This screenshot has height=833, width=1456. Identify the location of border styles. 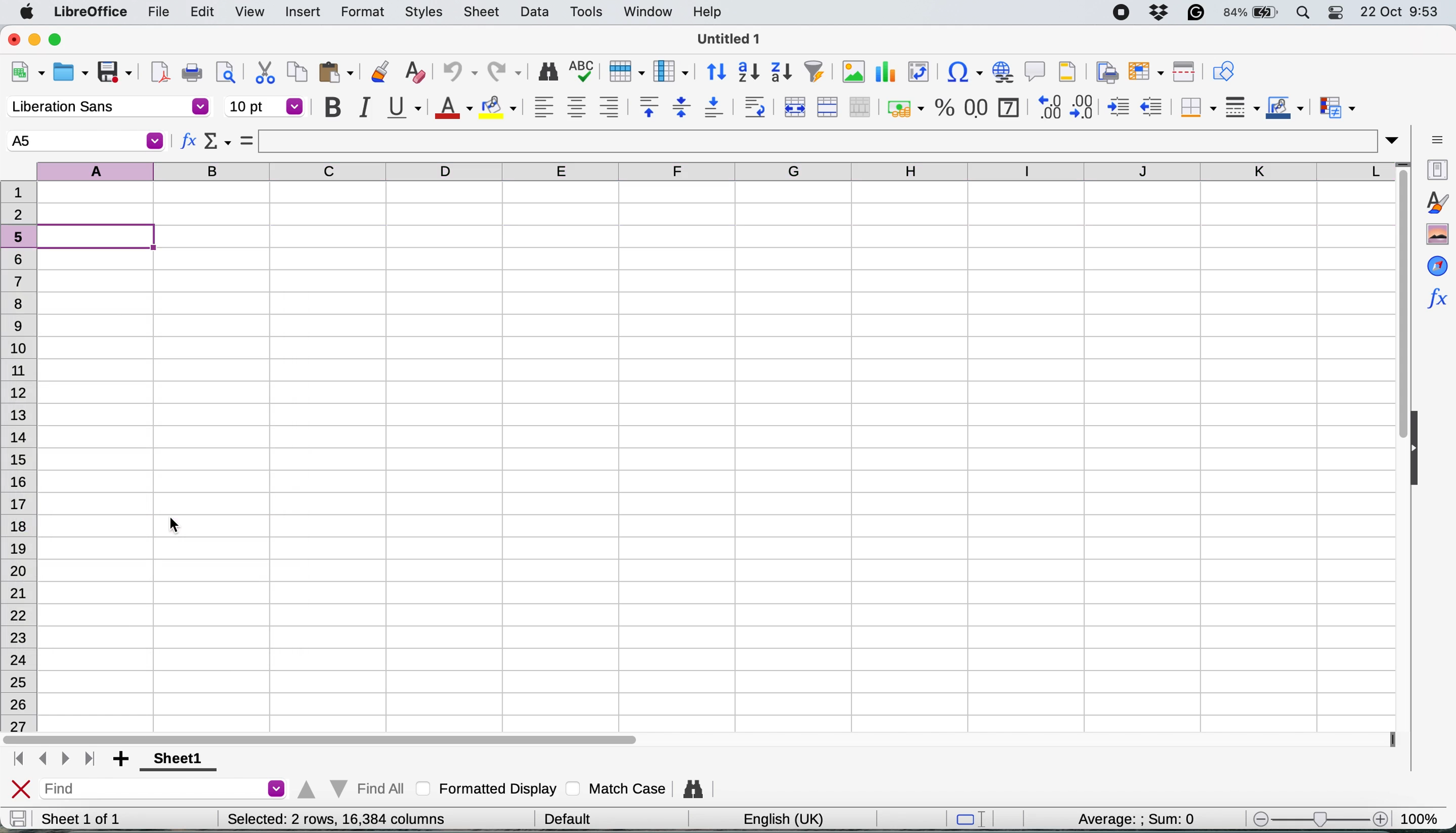
(1242, 107).